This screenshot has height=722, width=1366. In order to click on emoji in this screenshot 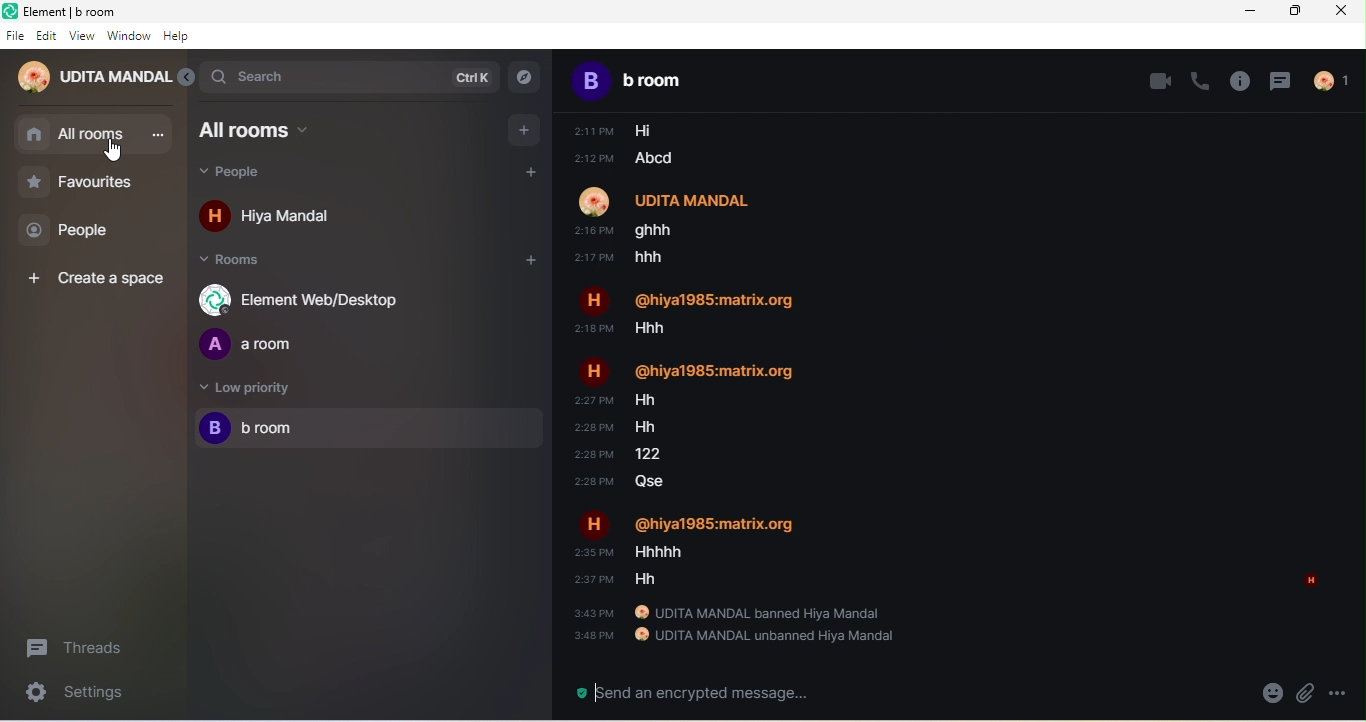, I will do `click(1274, 695)`.